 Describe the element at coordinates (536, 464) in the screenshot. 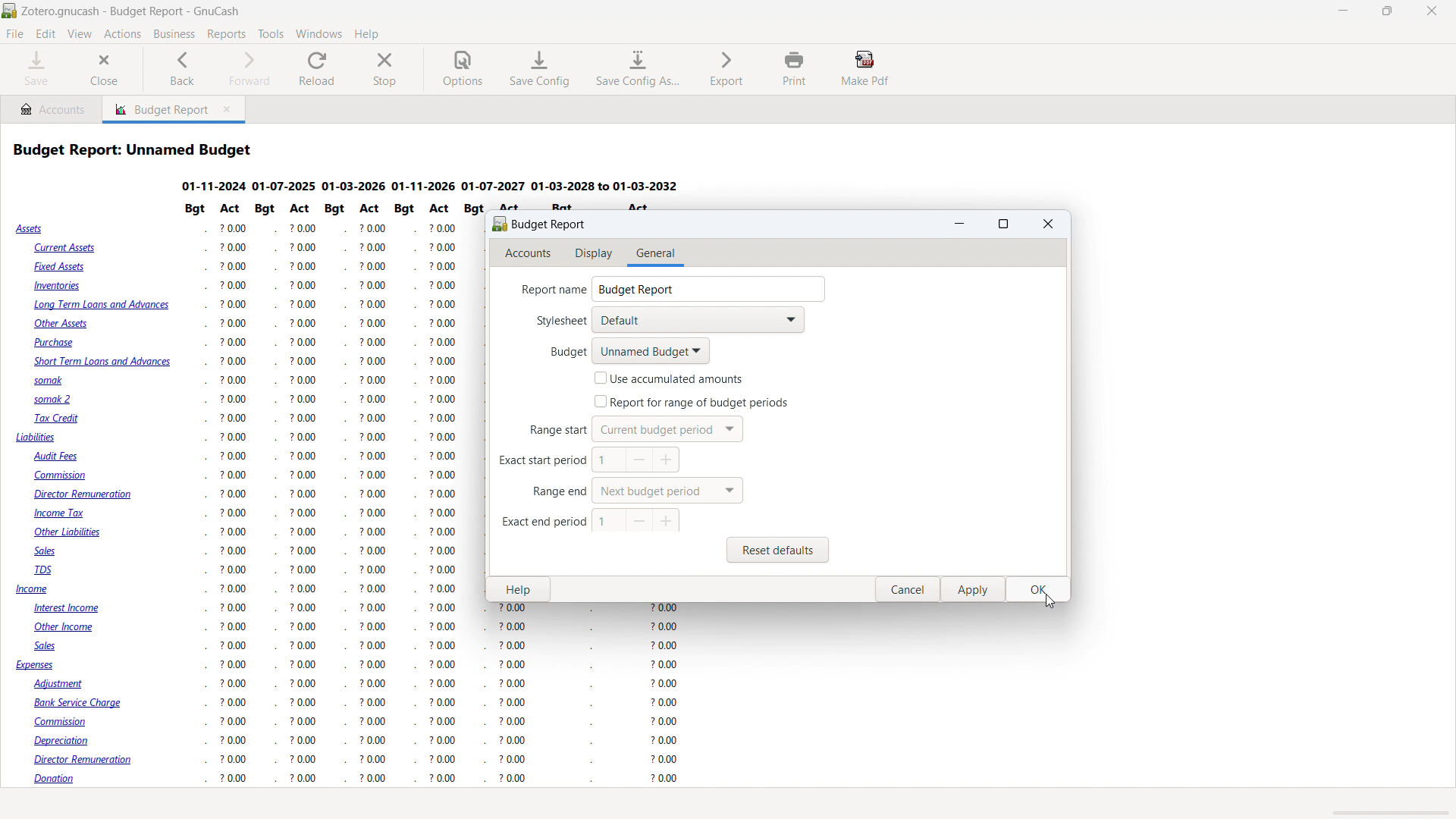

I see `| Exact start period` at that location.